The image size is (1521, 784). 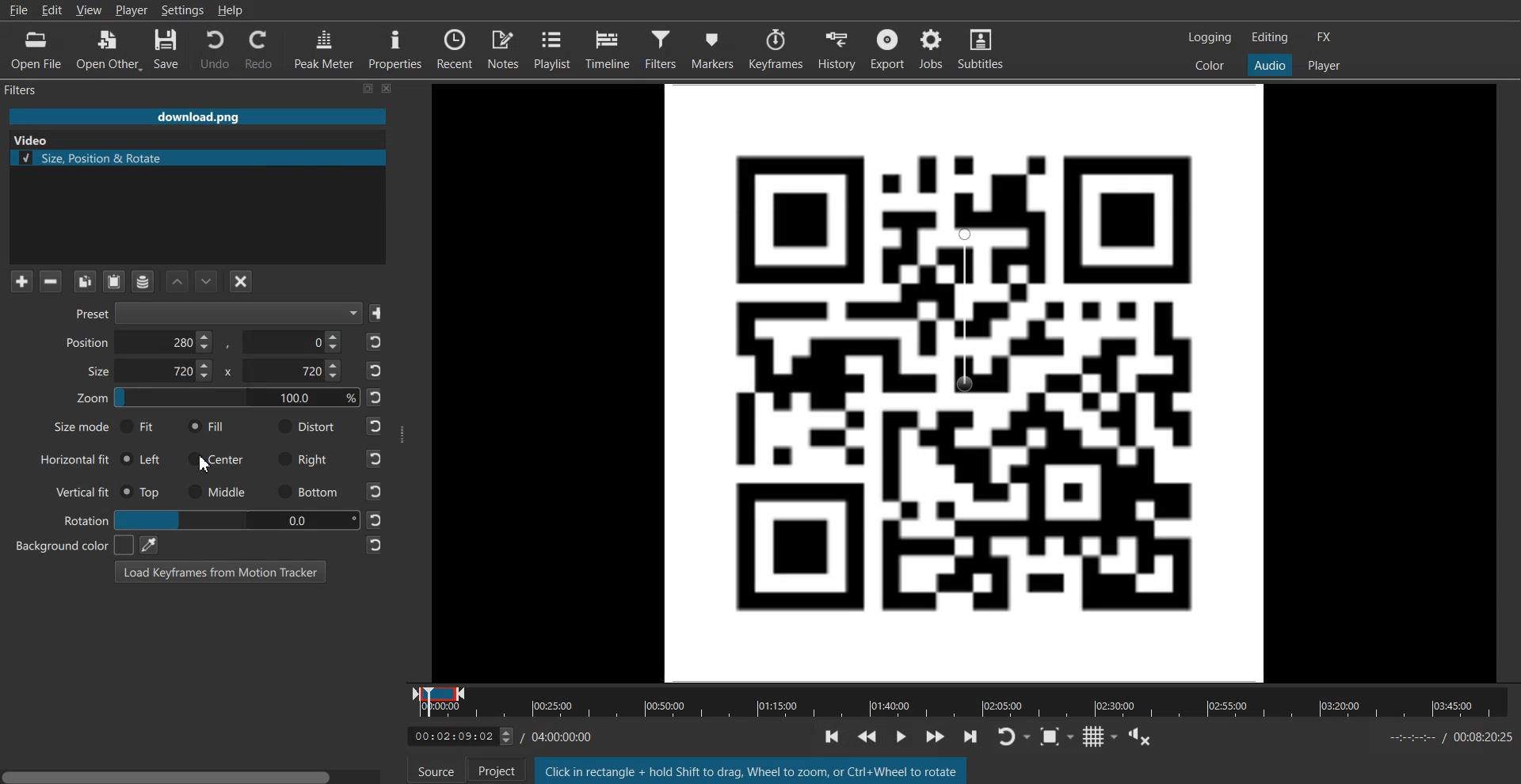 I want to click on Play Quickly backwards, so click(x=870, y=735).